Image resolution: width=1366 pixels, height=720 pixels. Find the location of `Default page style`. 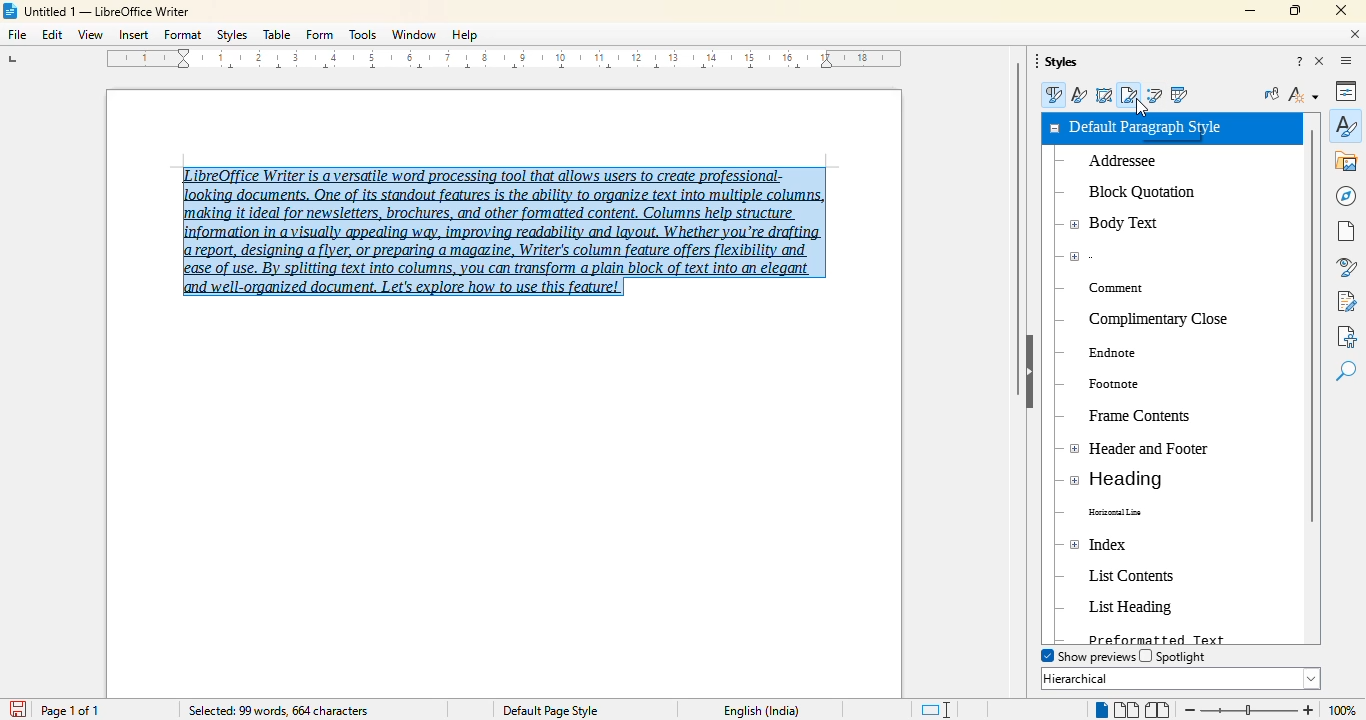

Default page style is located at coordinates (550, 710).